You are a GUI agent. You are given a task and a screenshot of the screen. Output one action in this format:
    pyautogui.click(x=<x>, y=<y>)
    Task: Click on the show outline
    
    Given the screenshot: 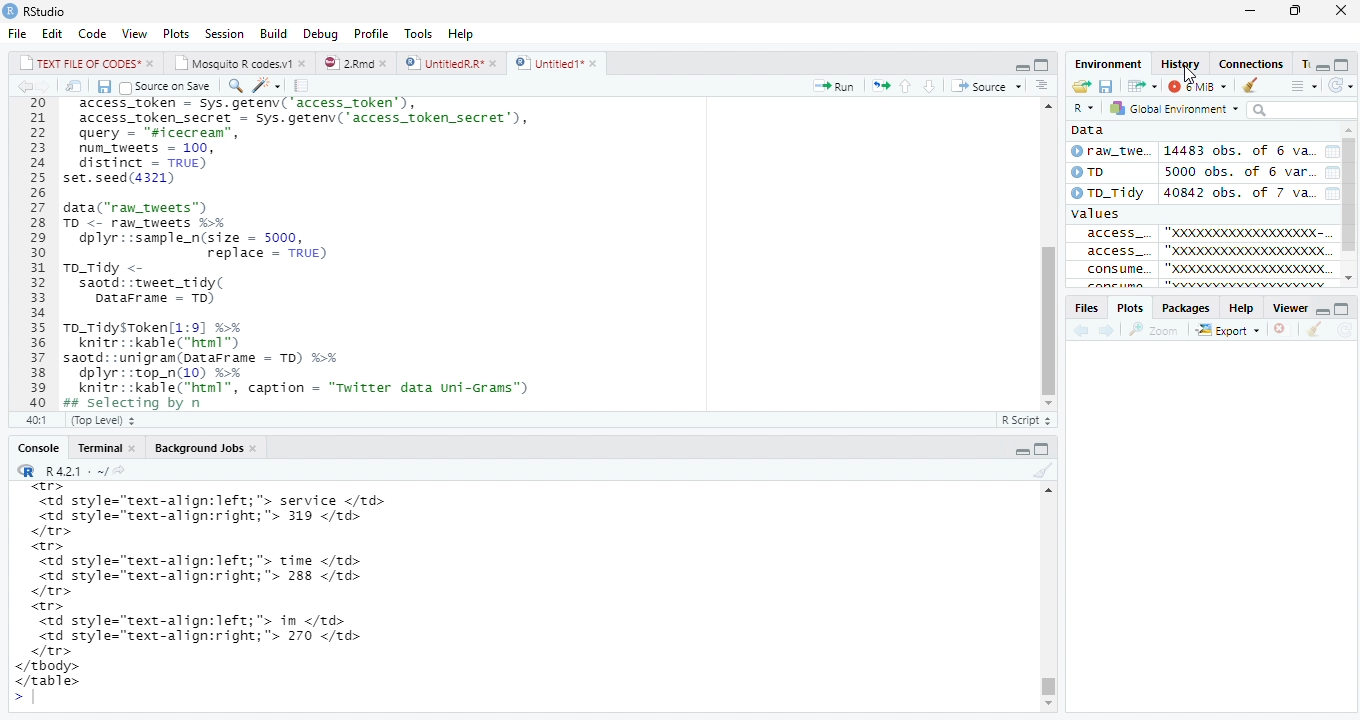 What is the action you would take?
    pyautogui.click(x=1301, y=85)
    